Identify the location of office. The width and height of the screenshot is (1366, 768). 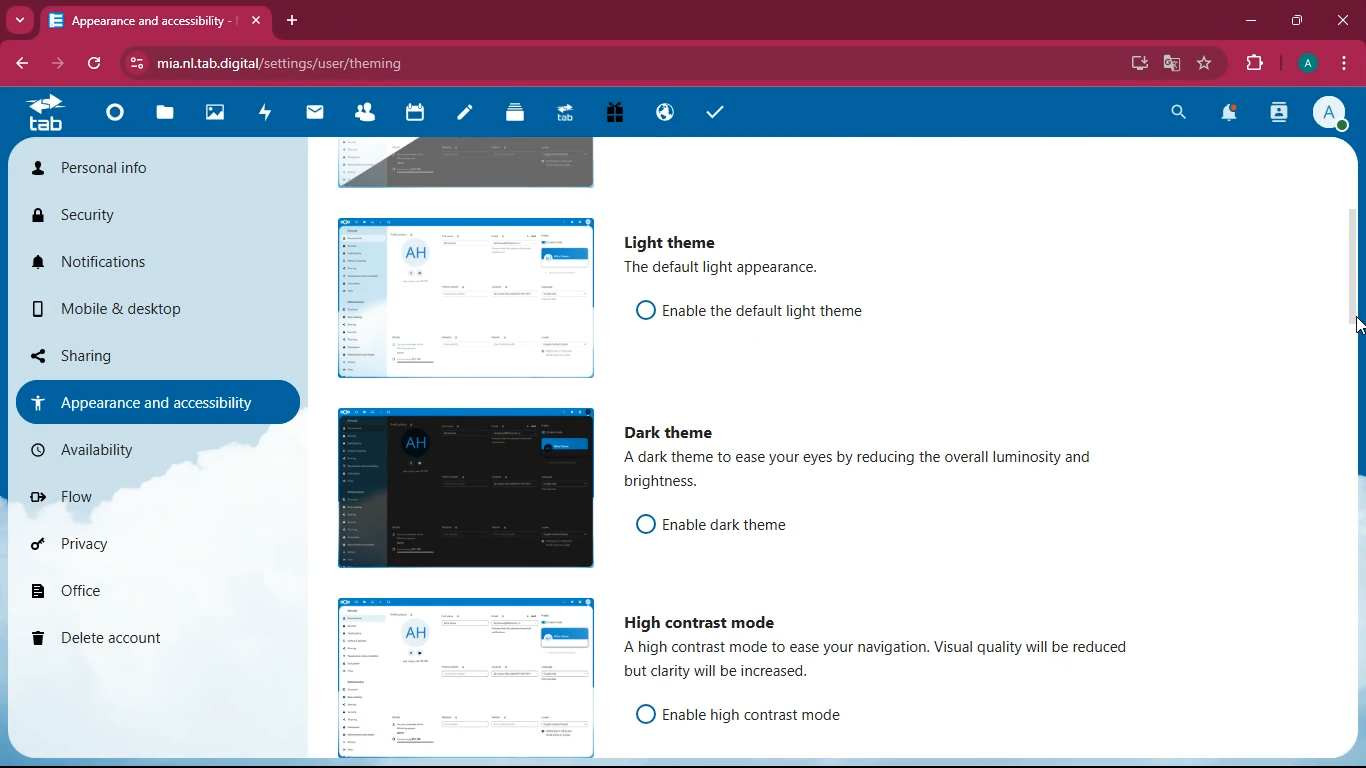
(126, 595).